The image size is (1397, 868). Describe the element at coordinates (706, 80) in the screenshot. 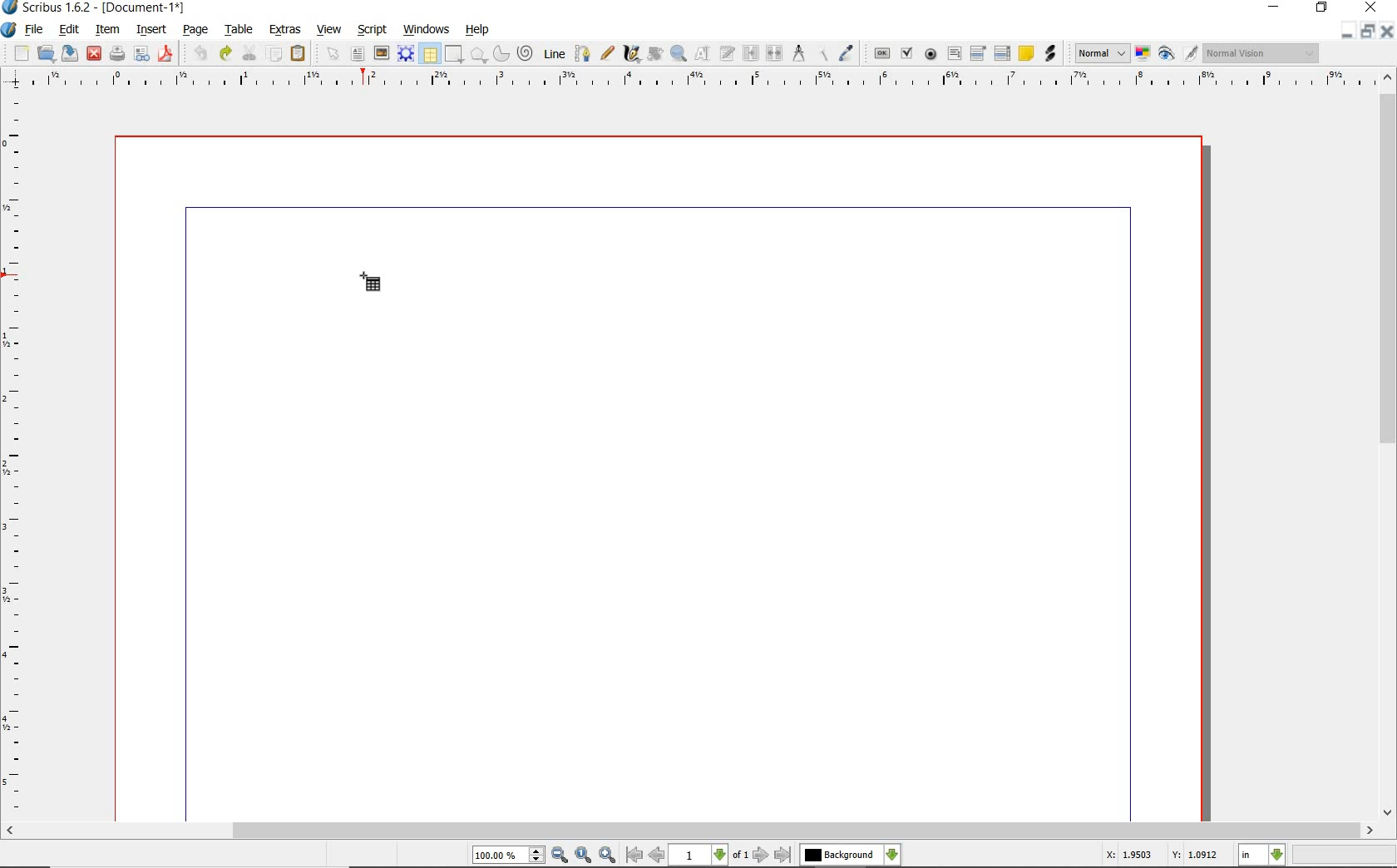

I see `ruler` at that location.